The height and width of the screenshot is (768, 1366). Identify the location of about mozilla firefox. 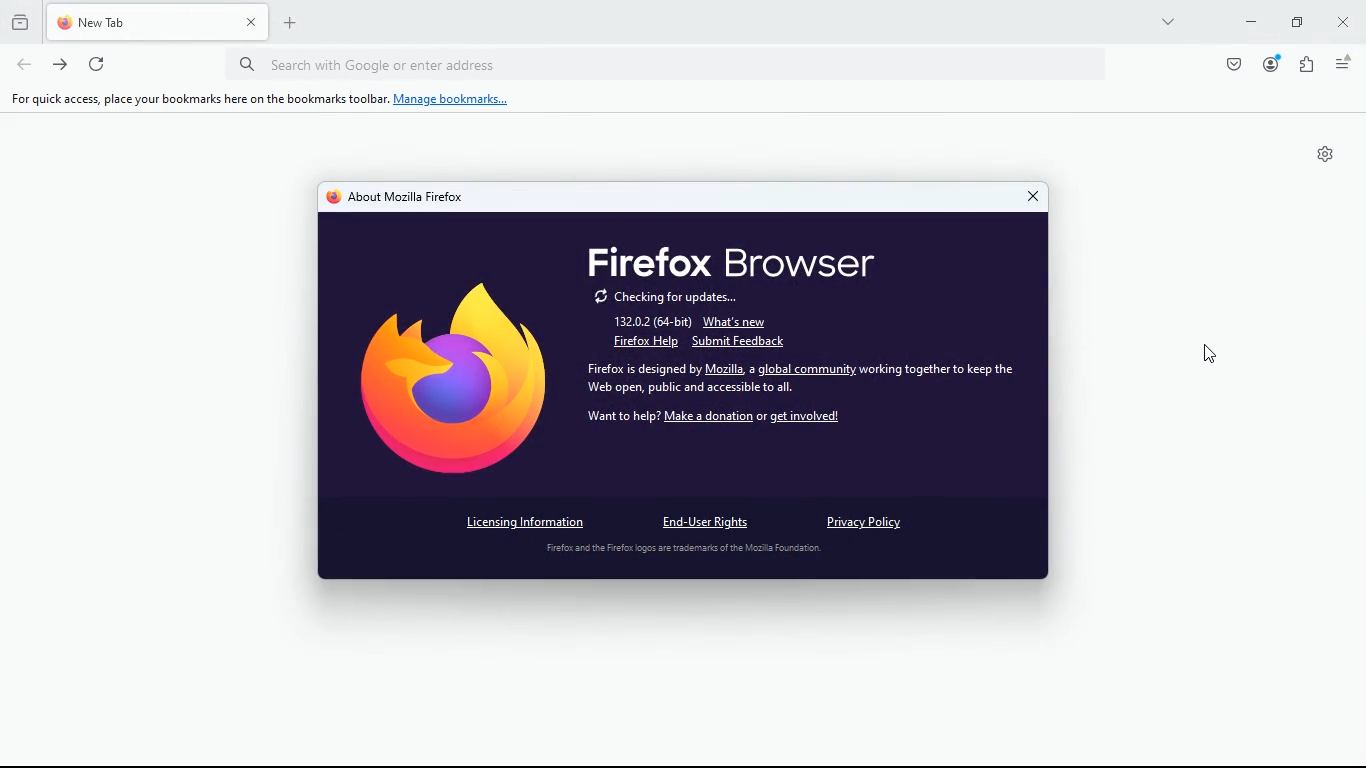
(406, 196).